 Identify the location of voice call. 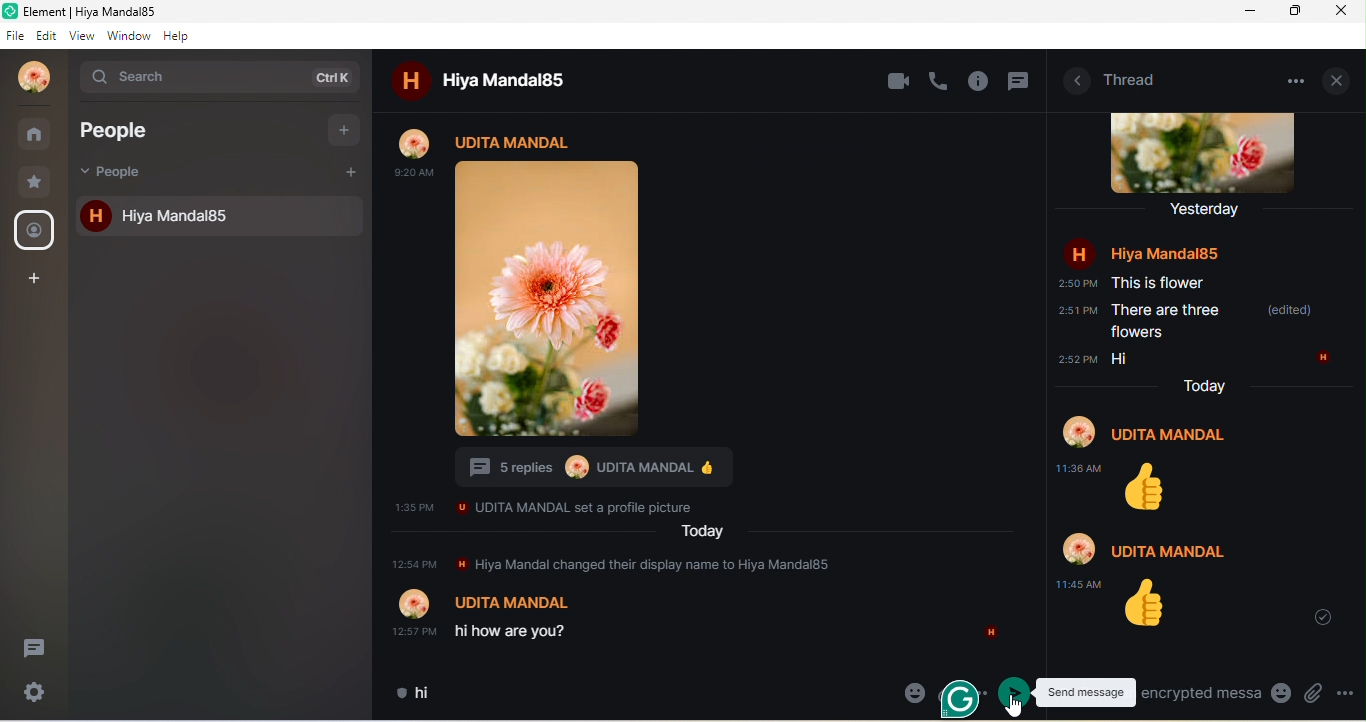
(939, 80).